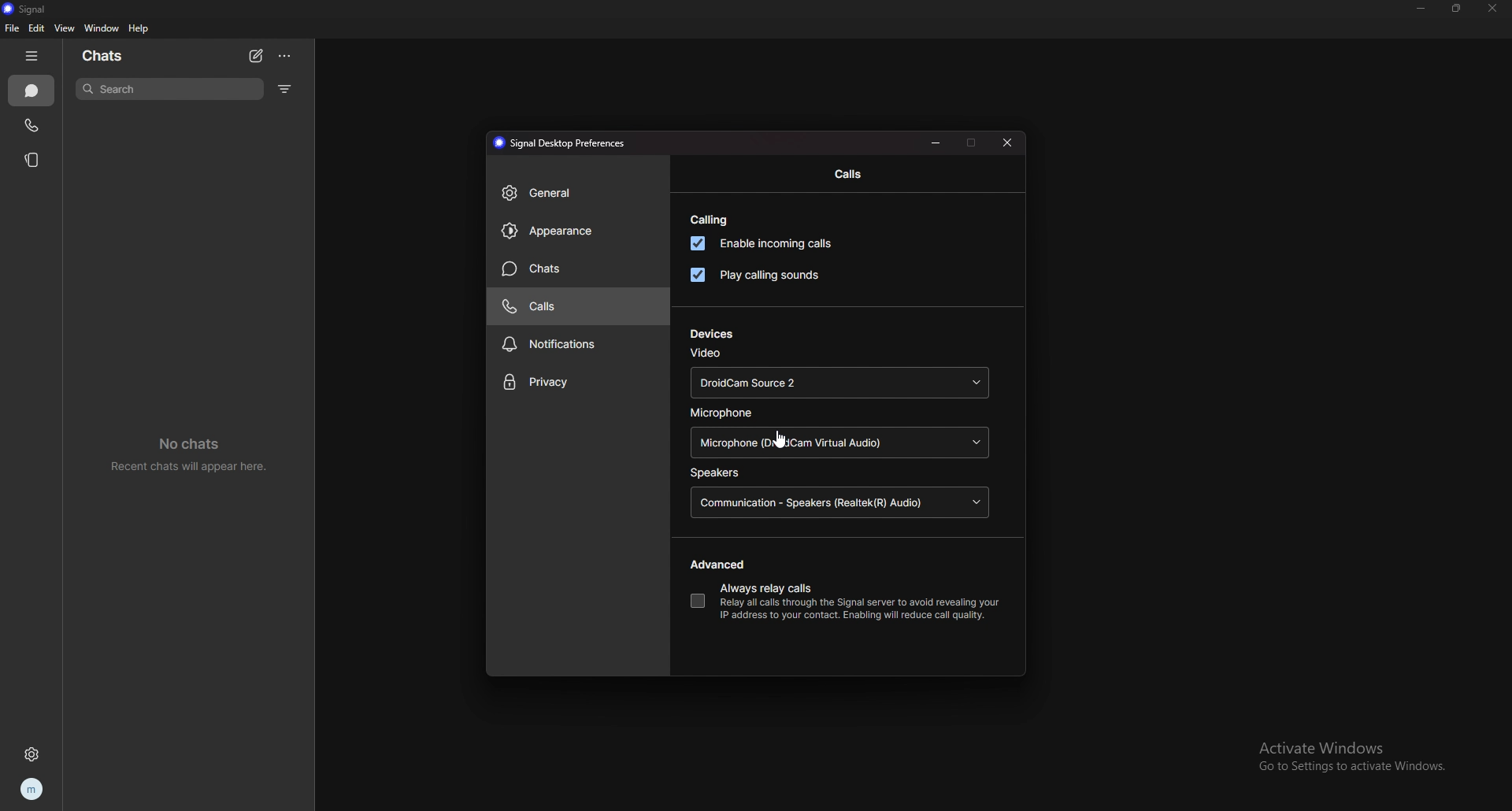 The image size is (1512, 811). What do you see at coordinates (706, 353) in the screenshot?
I see `video` at bounding box center [706, 353].